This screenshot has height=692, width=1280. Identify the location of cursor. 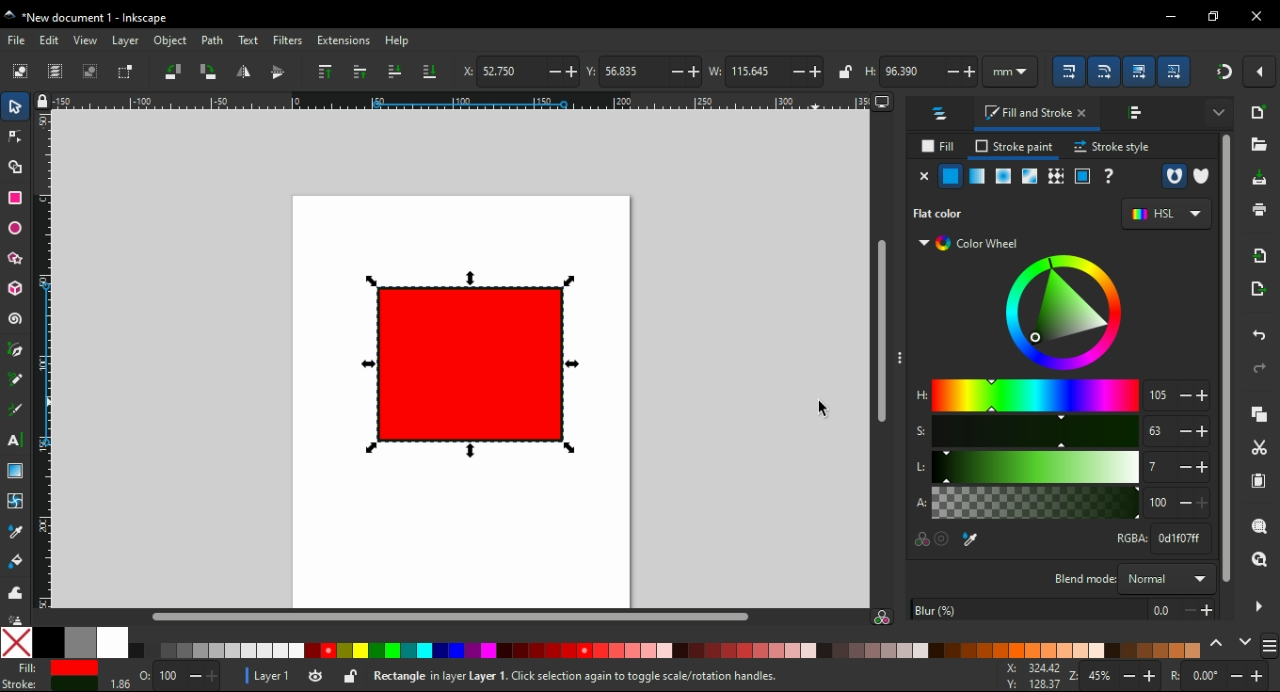
(820, 410).